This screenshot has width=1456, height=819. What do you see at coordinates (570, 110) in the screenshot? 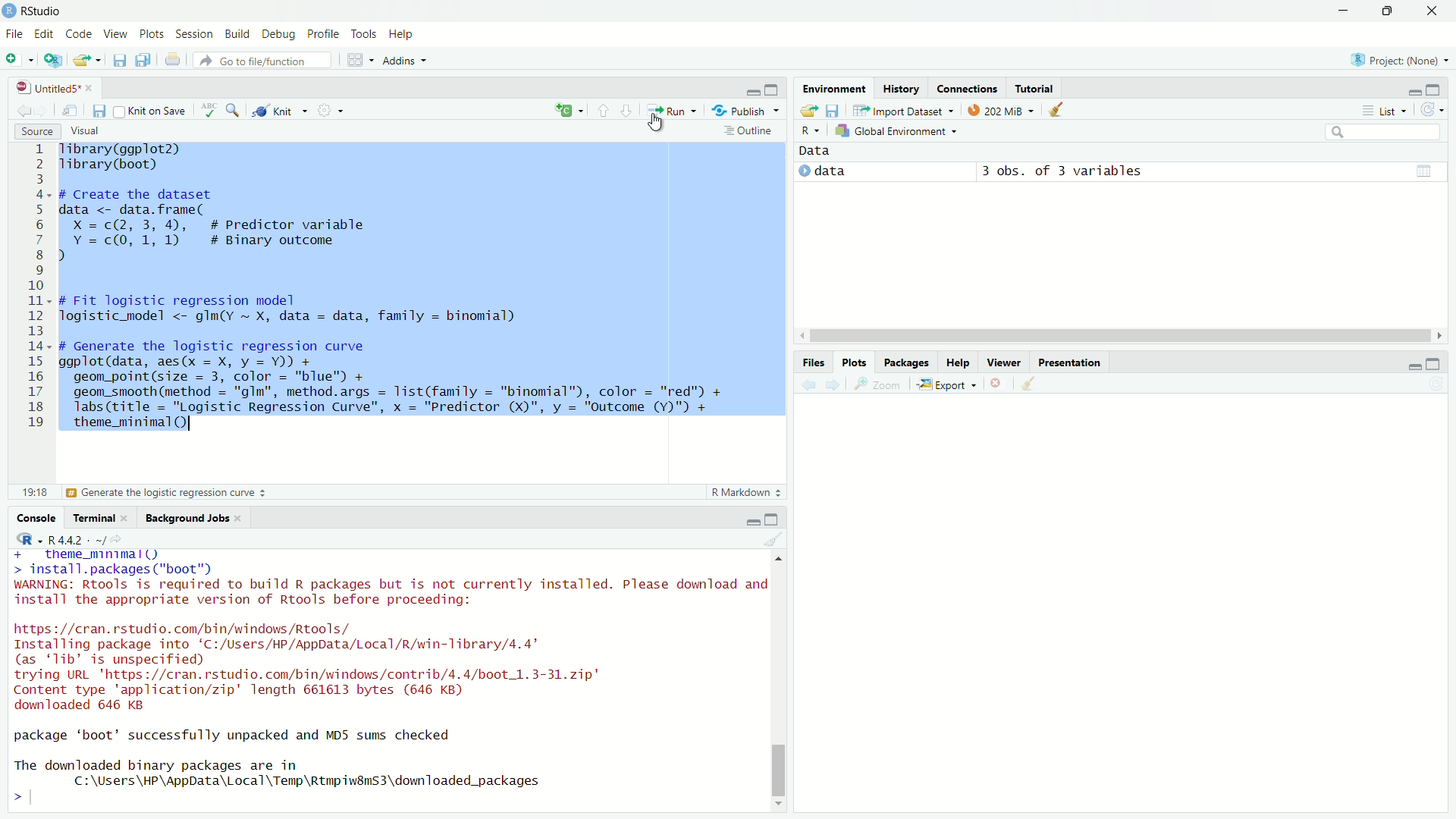
I see `Insert a new code/chunk` at bounding box center [570, 110].